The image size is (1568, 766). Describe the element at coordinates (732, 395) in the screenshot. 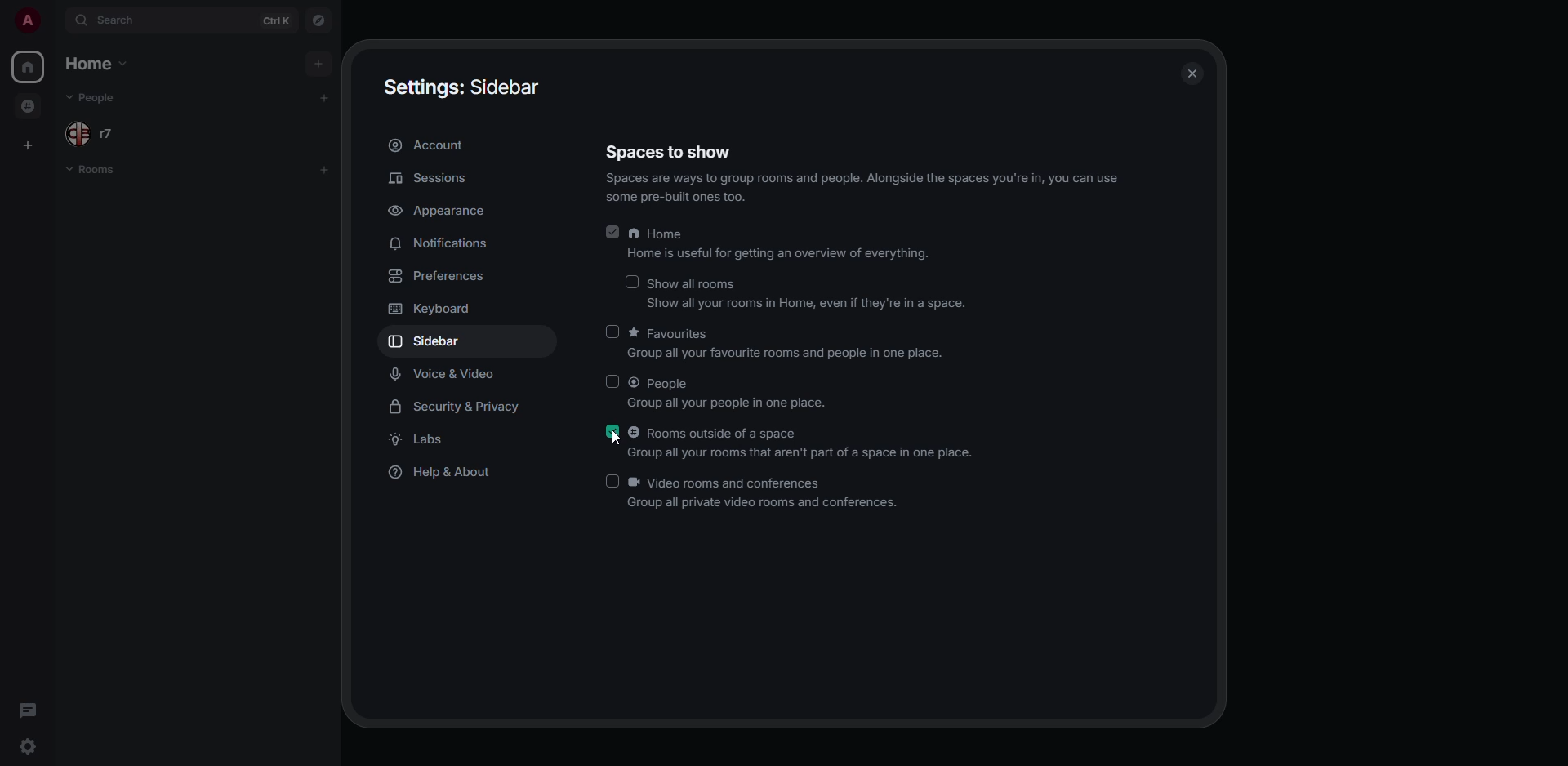

I see ` People Group all your people in one place.` at that location.